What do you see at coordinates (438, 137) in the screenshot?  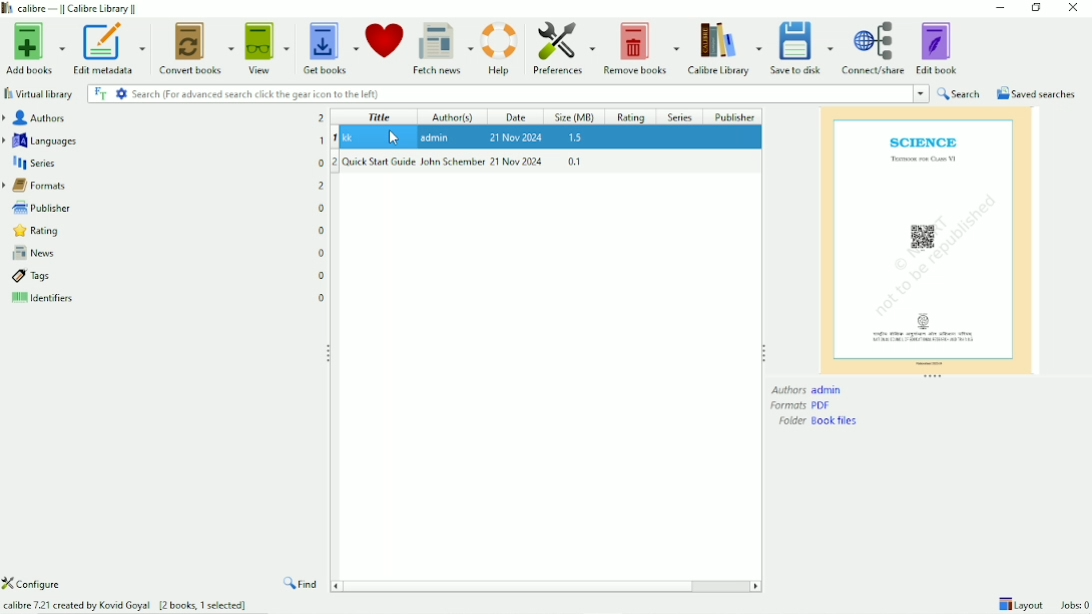 I see `admin` at bounding box center [438, 137].